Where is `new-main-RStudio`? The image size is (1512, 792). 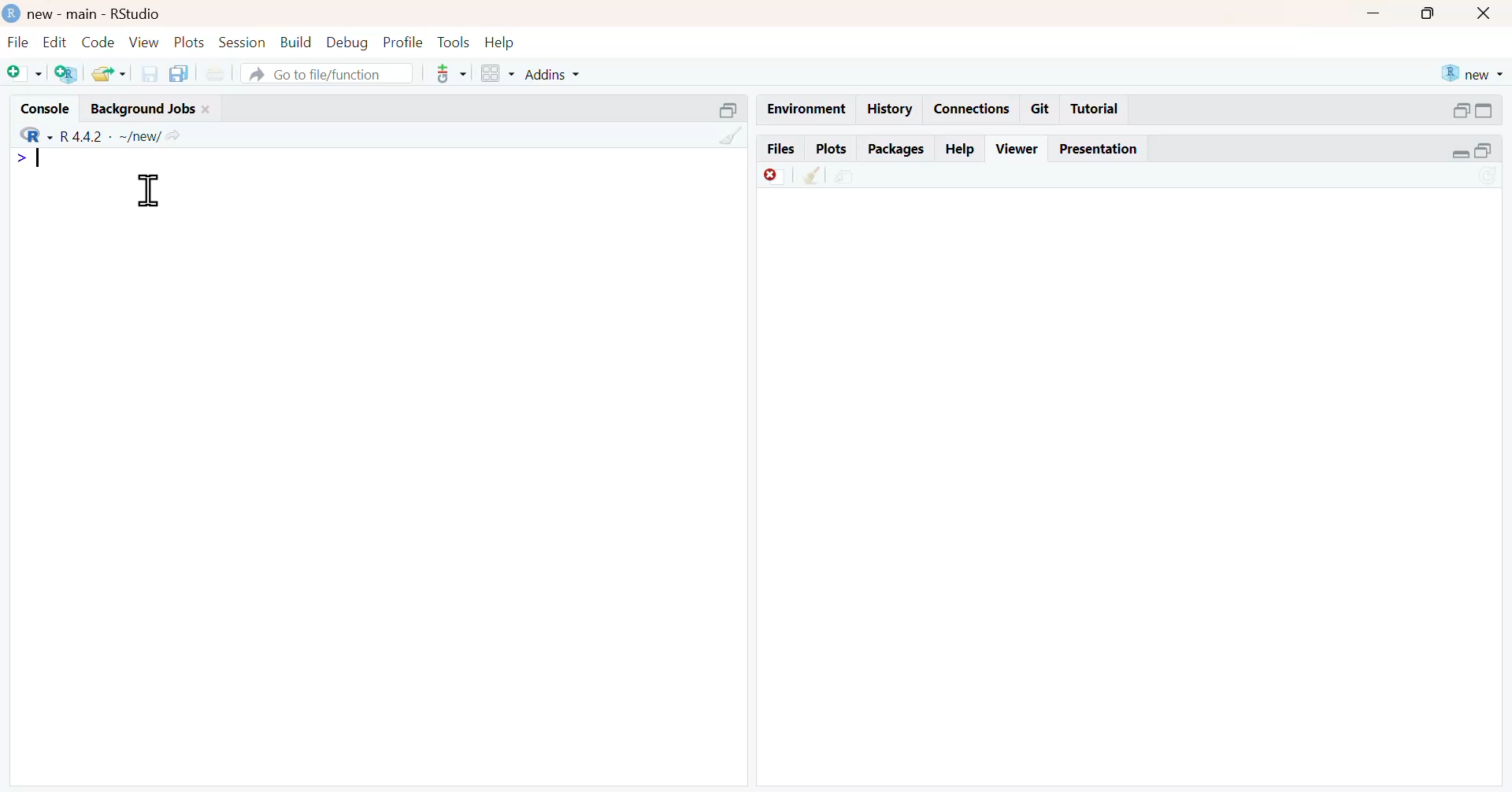 new-main-RStudio is located at coordinates (97, 13).